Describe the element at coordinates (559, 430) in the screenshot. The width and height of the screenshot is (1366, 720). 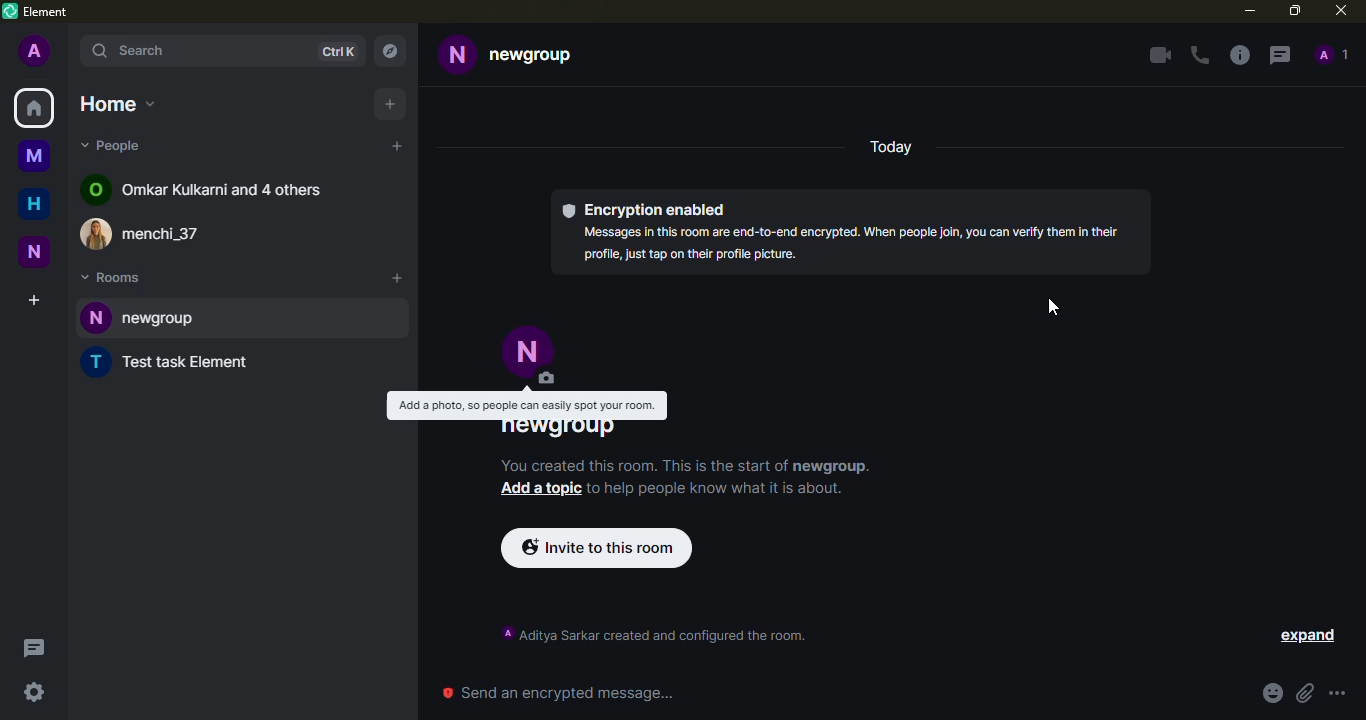
I see `newgroup` at that location.